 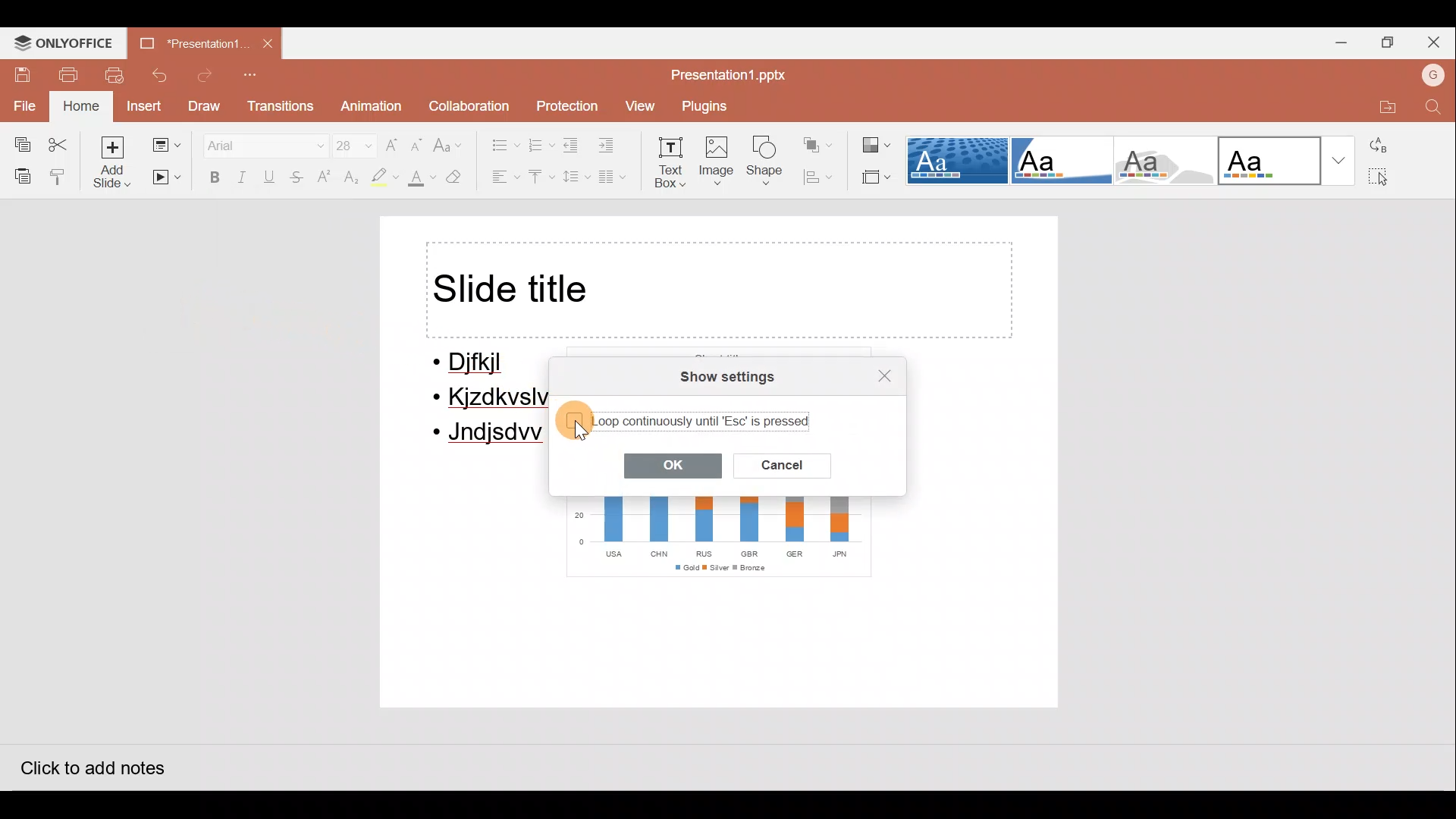 What do you see at coordinates (1433, 39) in the screenshot?
I see `Close` at bounding box center [1433, 39].